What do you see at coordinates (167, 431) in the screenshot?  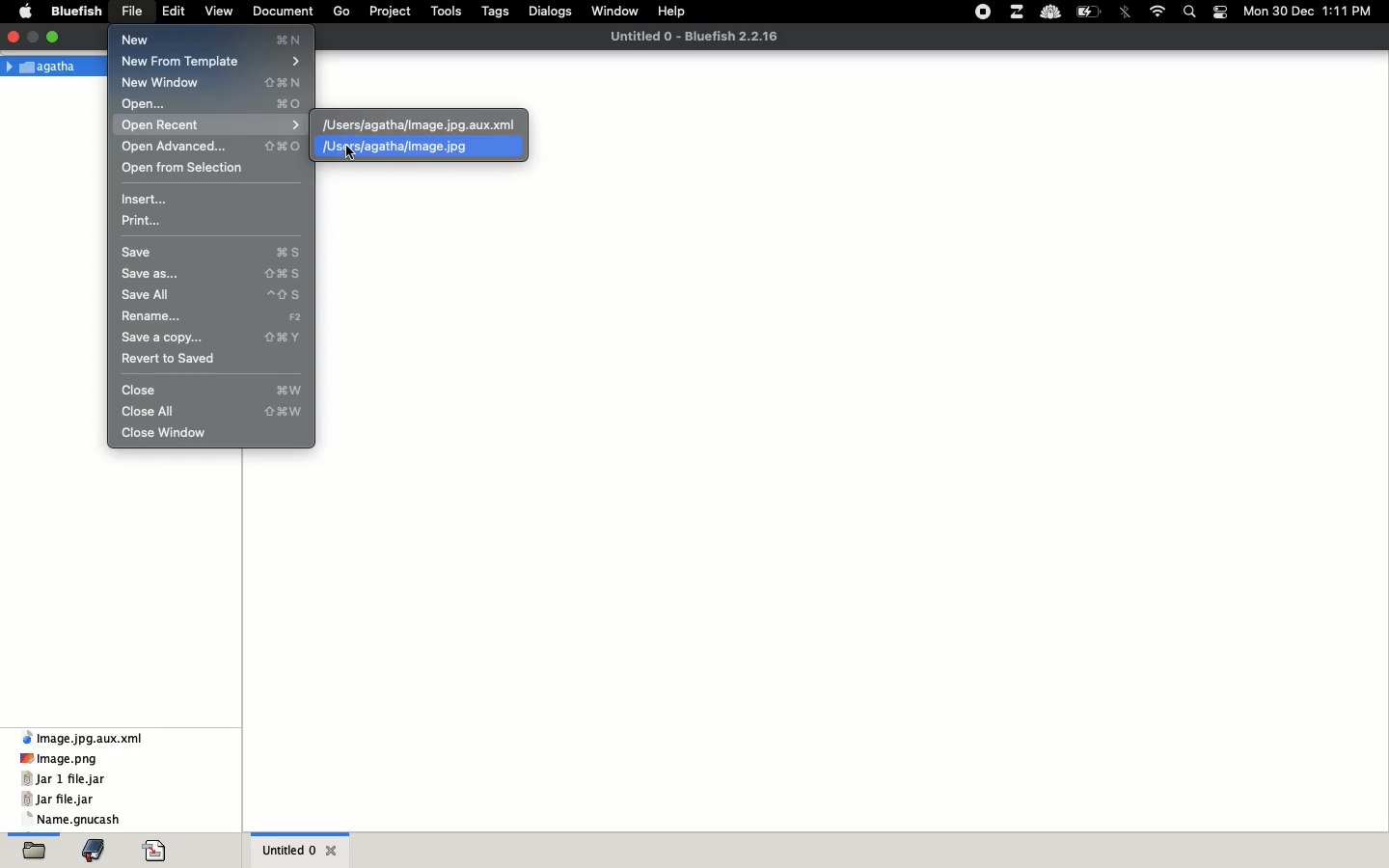 I see `close window` at bounding box center [167, 431].